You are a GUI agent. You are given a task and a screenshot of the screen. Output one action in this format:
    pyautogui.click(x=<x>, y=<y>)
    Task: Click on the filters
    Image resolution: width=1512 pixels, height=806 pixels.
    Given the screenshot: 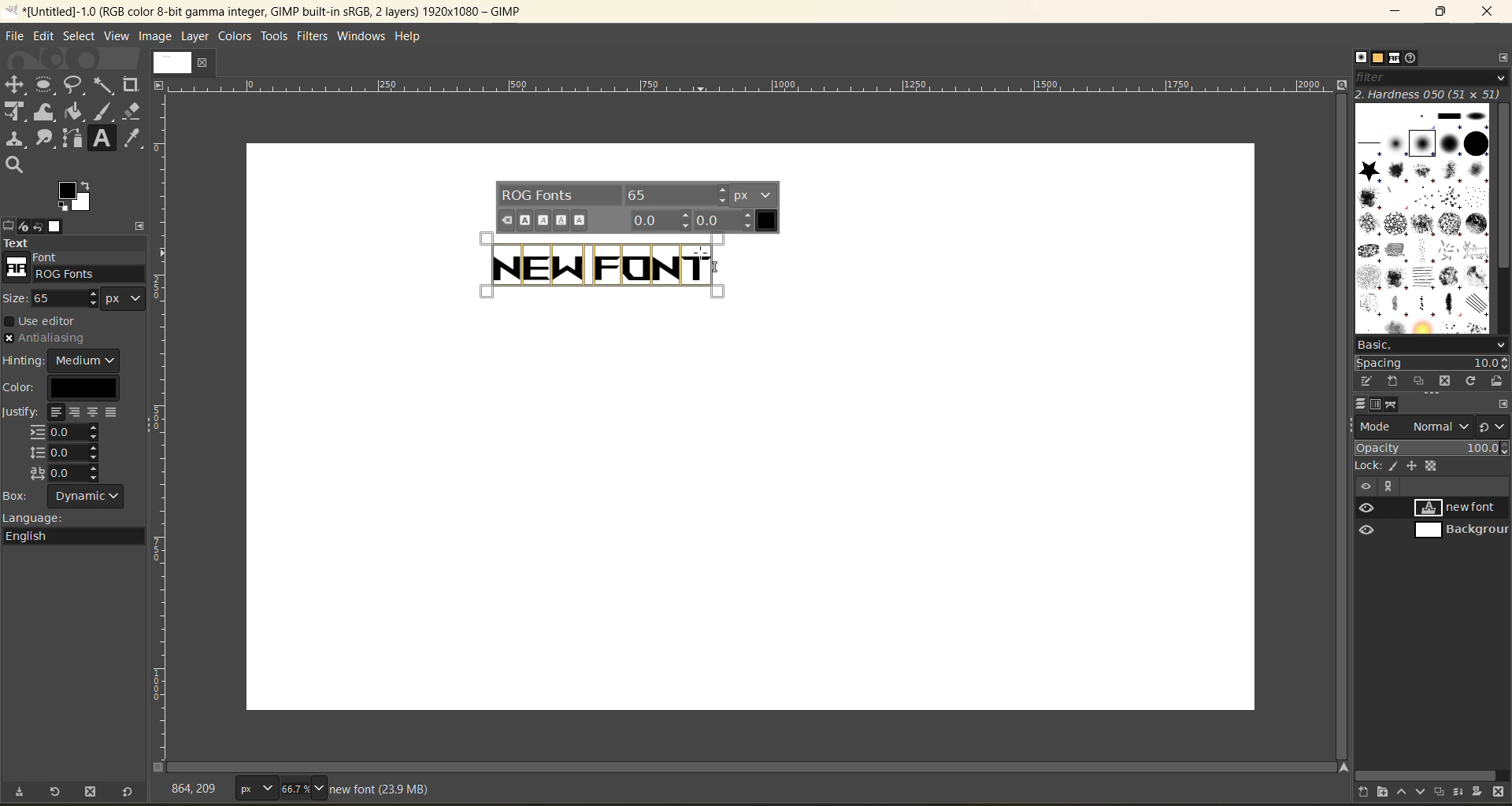 What is the action you would take?
    pyautogui.click(x=313, y=39)
    